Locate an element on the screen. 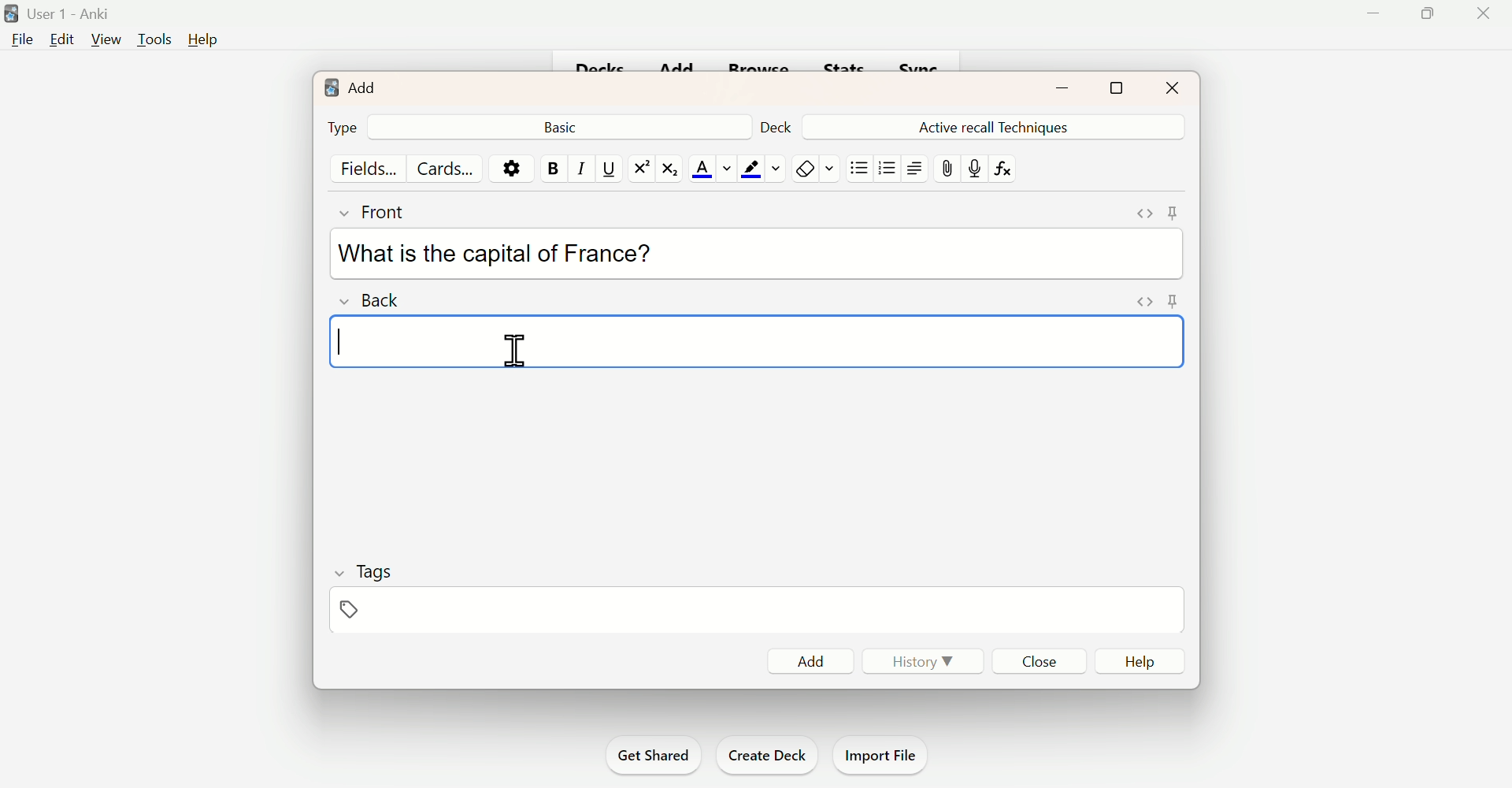  fx is located at coordinates (1014, 174).